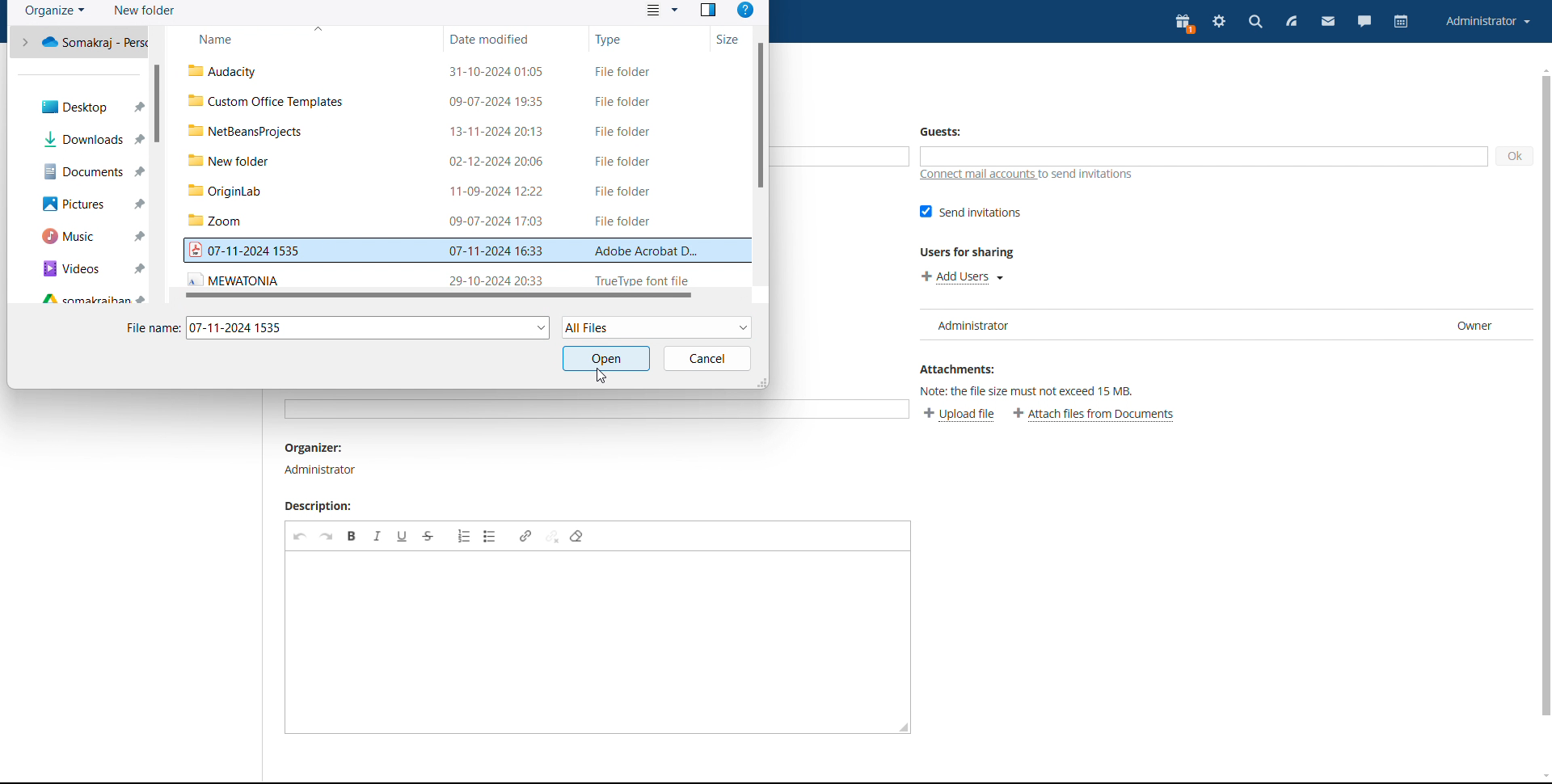  I want to click on guests , so click(945, 130).